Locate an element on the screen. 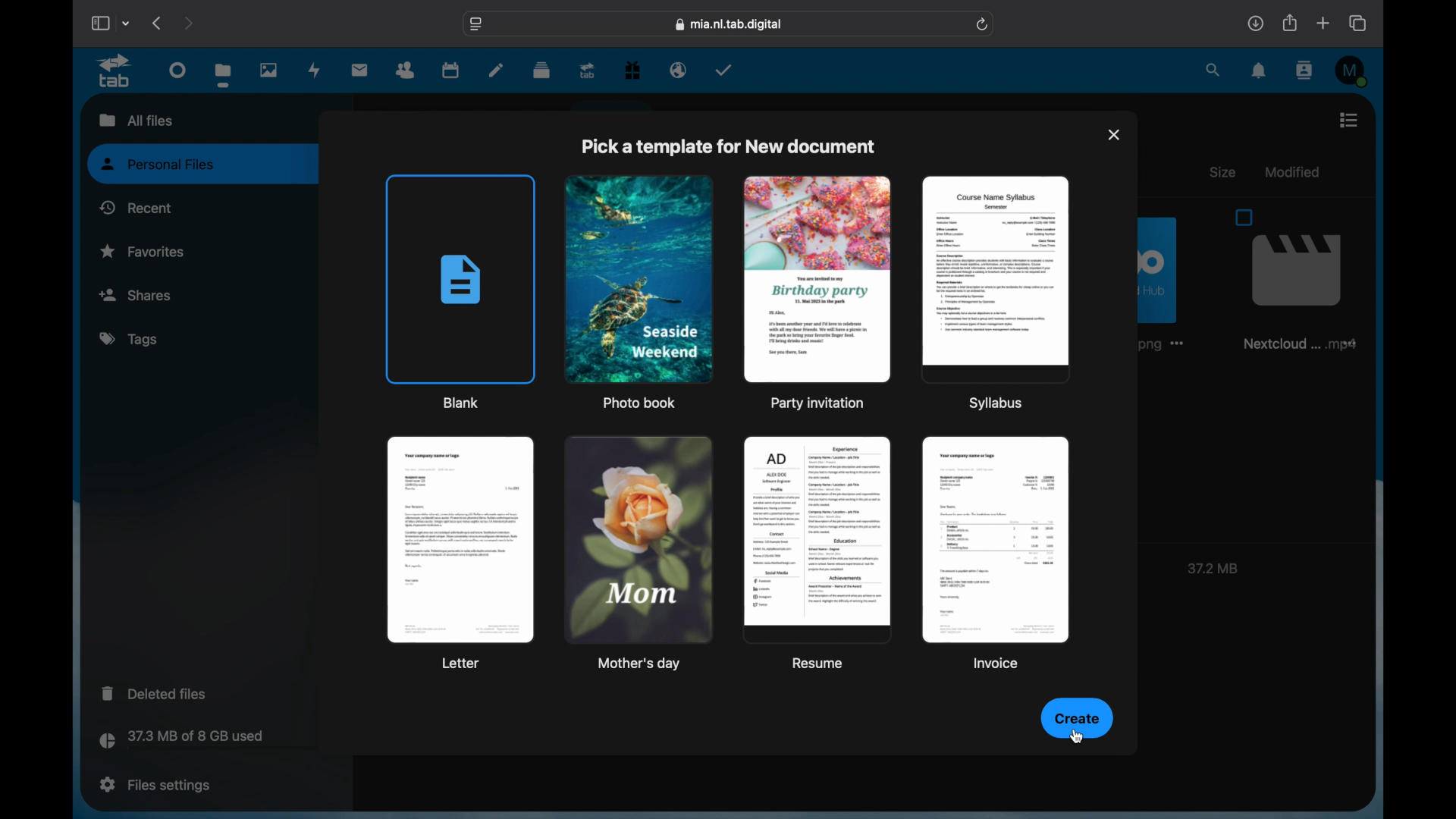 The height and width of the screenshot is (819, 1456). upgrade is located at coordinates (588, 70).